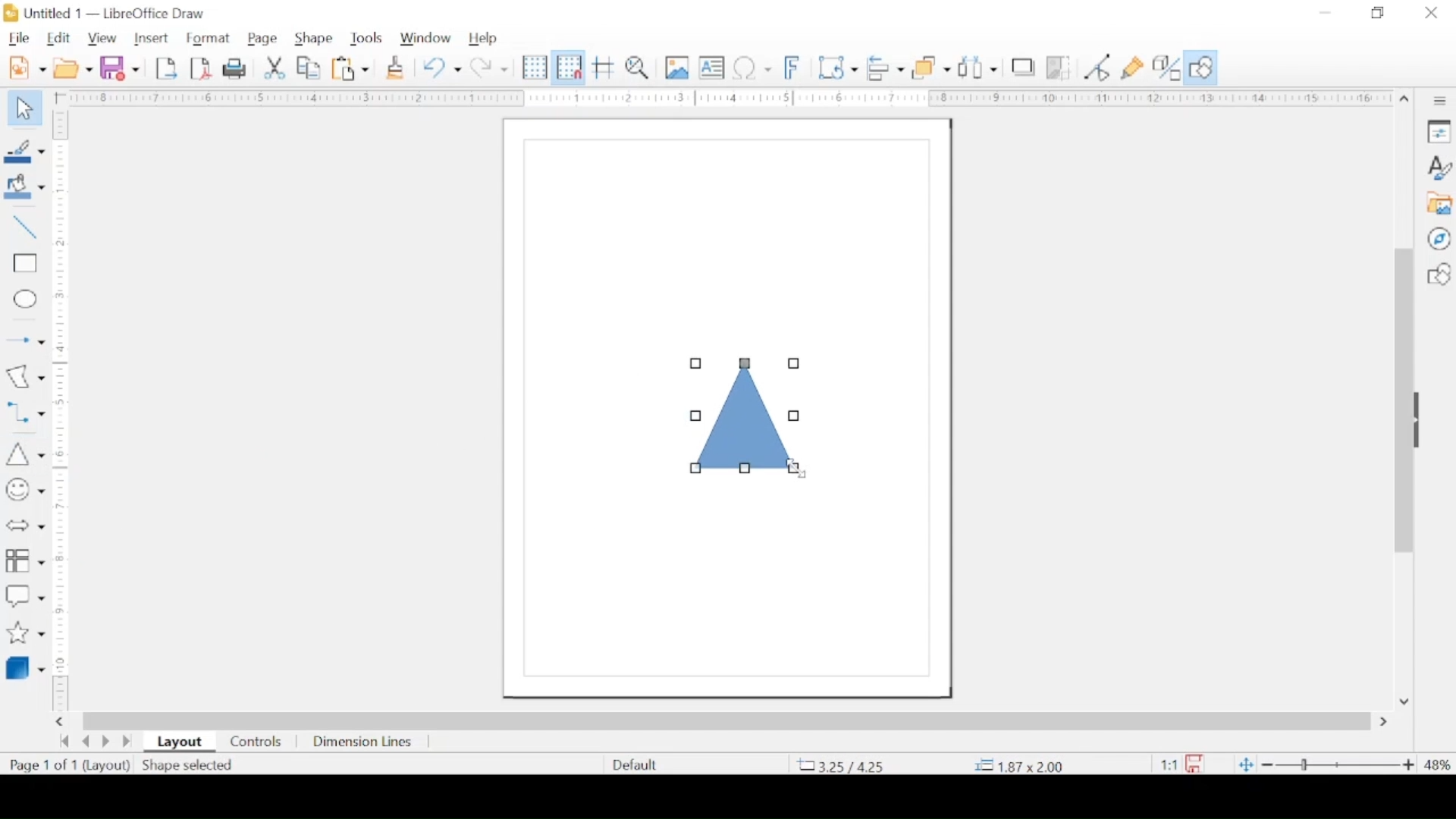 This screenshot has height=819, width=1456. I want to click on untitled 1 - libreoffice draw, so click(110, 13).